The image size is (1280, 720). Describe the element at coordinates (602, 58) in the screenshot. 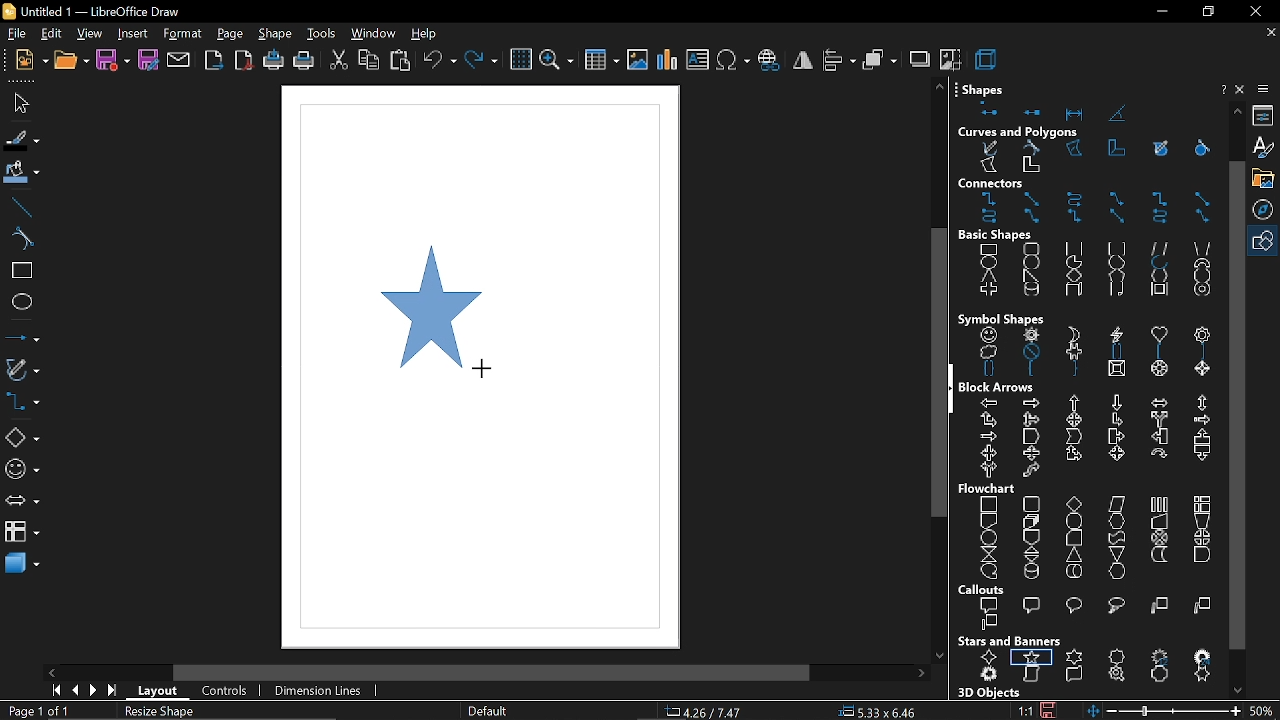

I see `insert table` at that location.